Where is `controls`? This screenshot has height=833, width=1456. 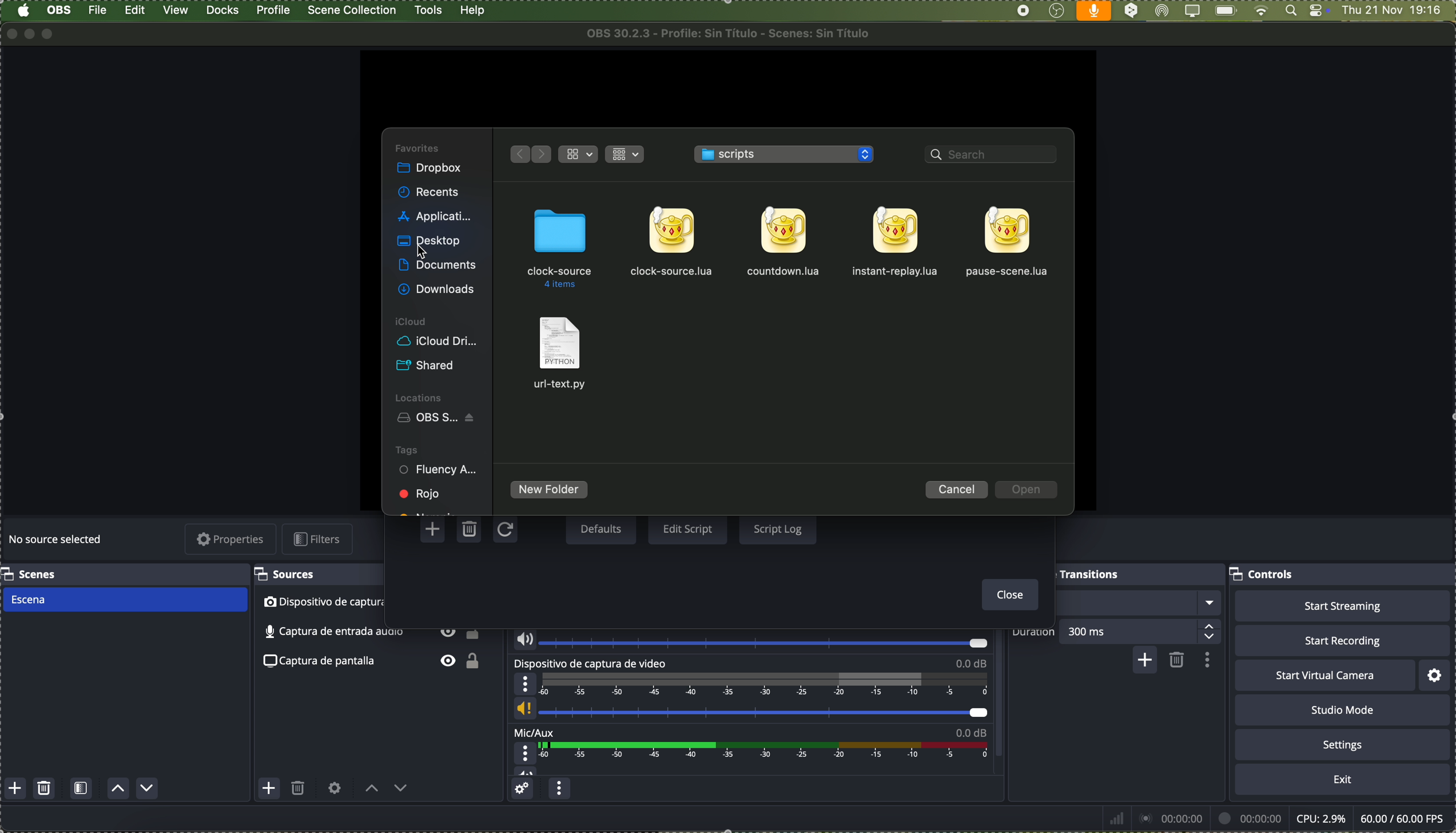
controls is located at coordinates (1319, 11).